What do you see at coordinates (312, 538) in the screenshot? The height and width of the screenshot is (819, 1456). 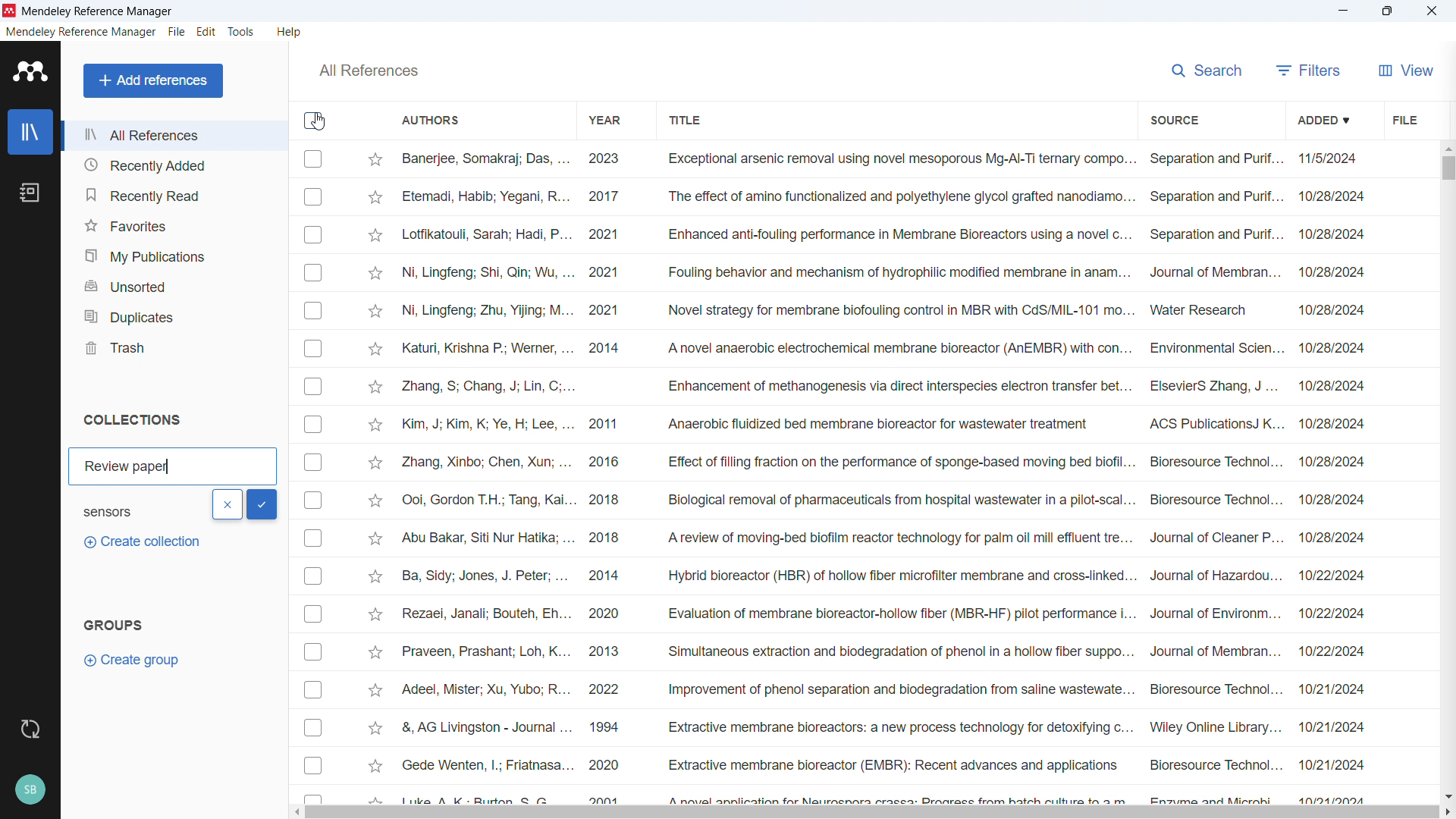 I see `Select respective publication` at bounding box center [312, 538].